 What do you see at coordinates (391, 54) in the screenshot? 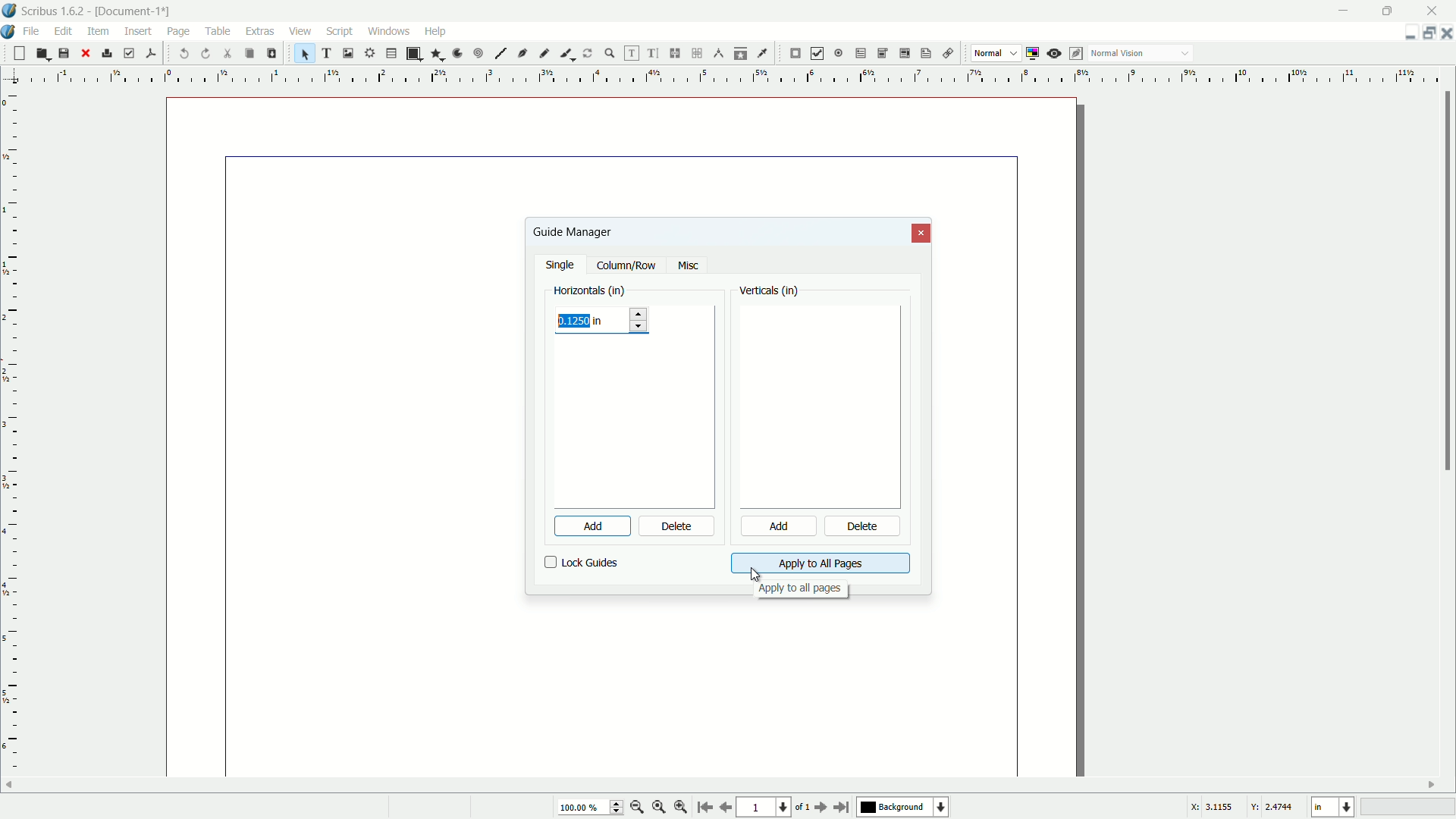
I see `table` at bounding box center [391, 54].